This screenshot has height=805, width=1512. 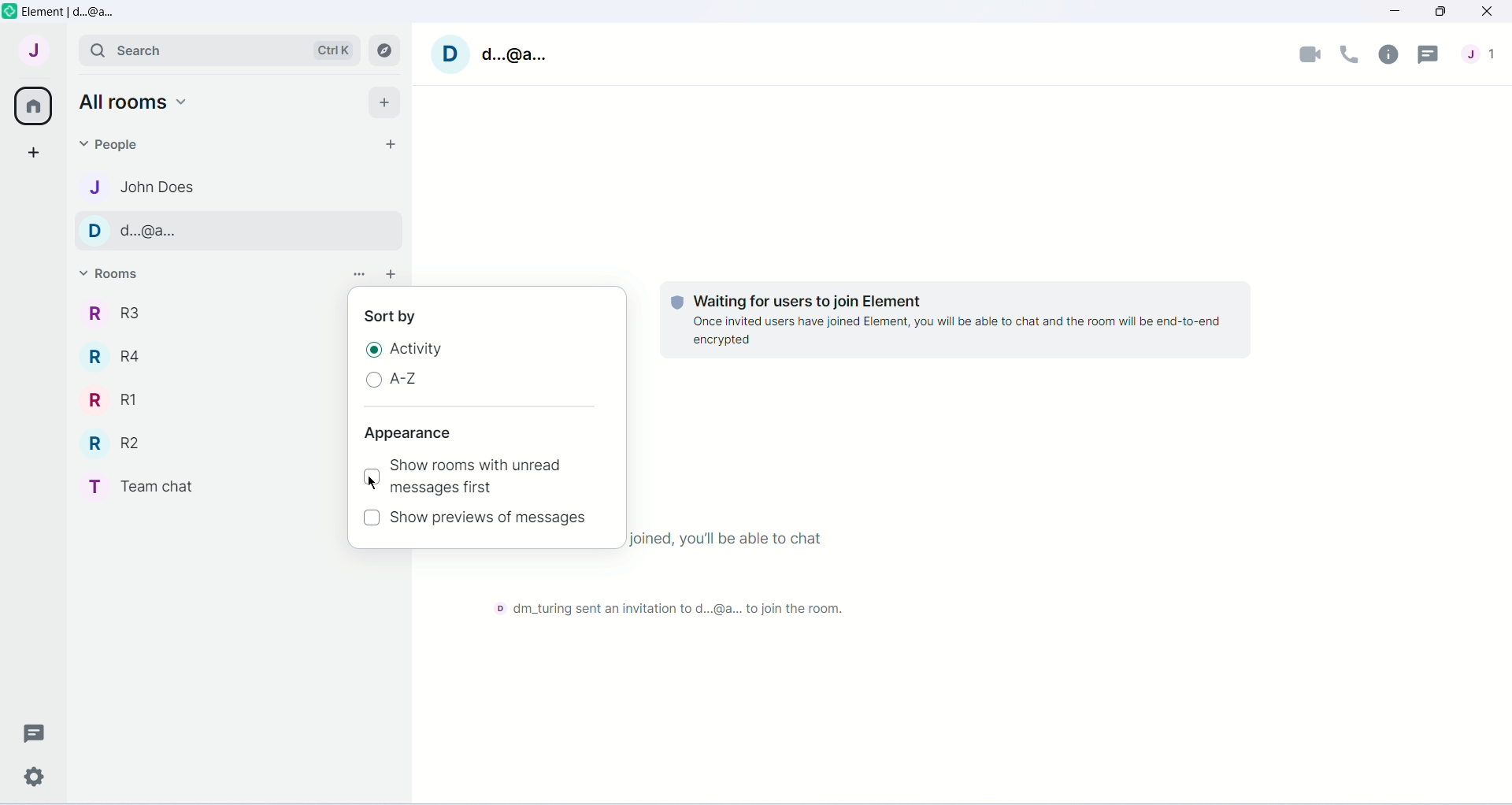 I want to click on Threads, so click(x=1432, y=54).